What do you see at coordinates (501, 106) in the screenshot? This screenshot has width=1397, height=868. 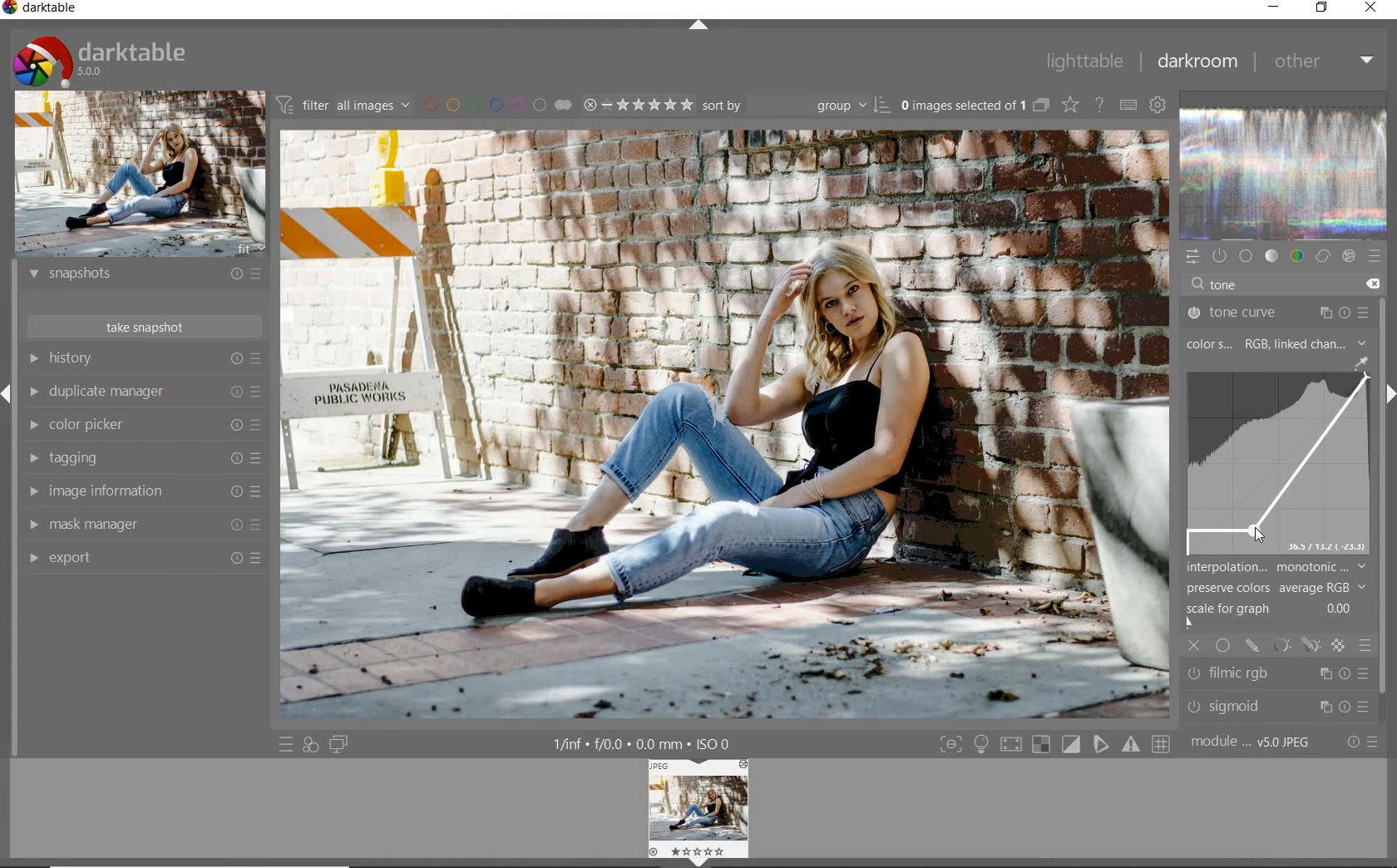 I see `filter by image color` at bounding box center [501, 106].